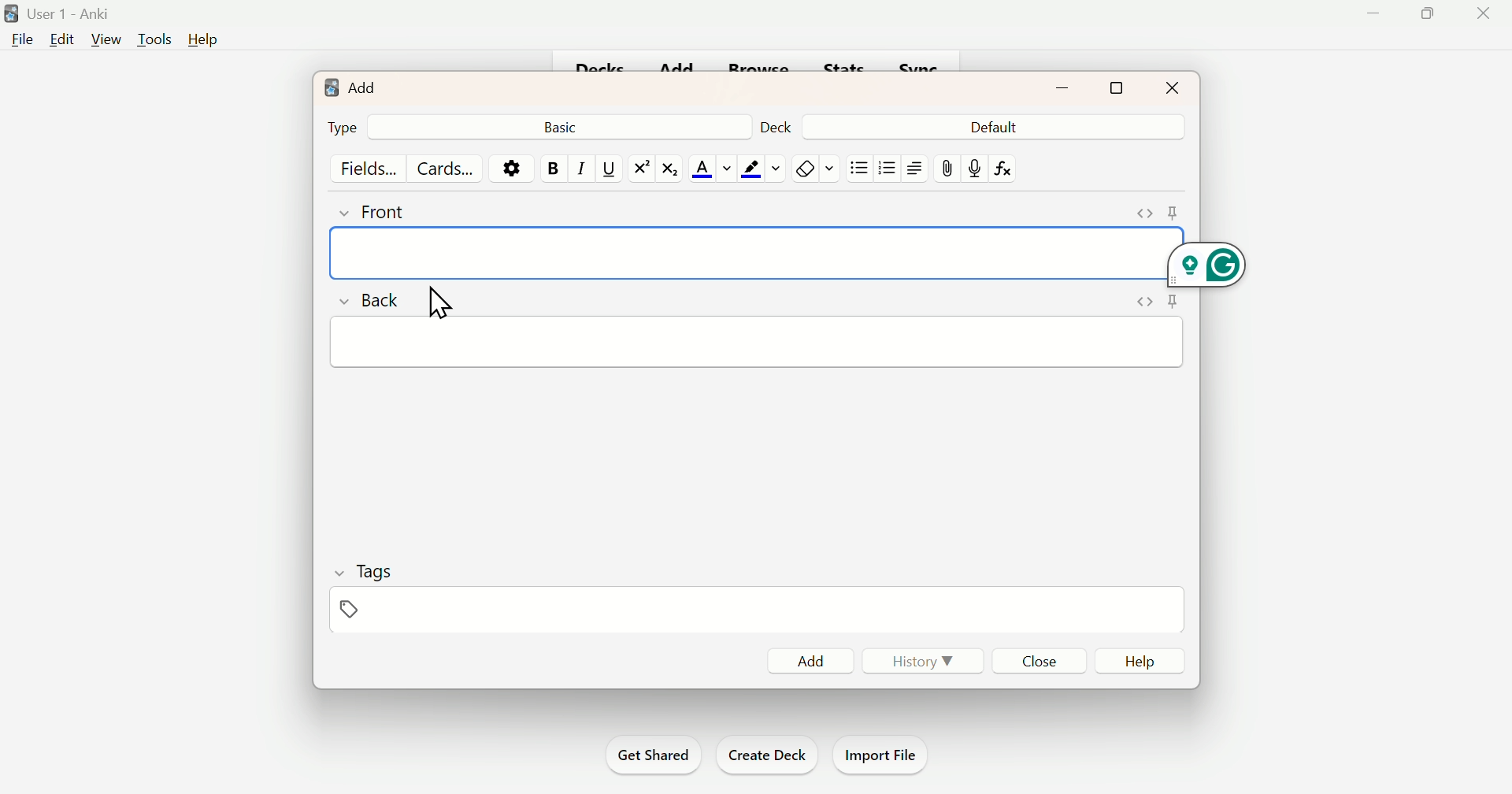 The height and width of the screenshot is (794, 1512). What do you see at coordinates (607, 169) in the screenshot?
I see `Underline` at bounding box center [607, 169].